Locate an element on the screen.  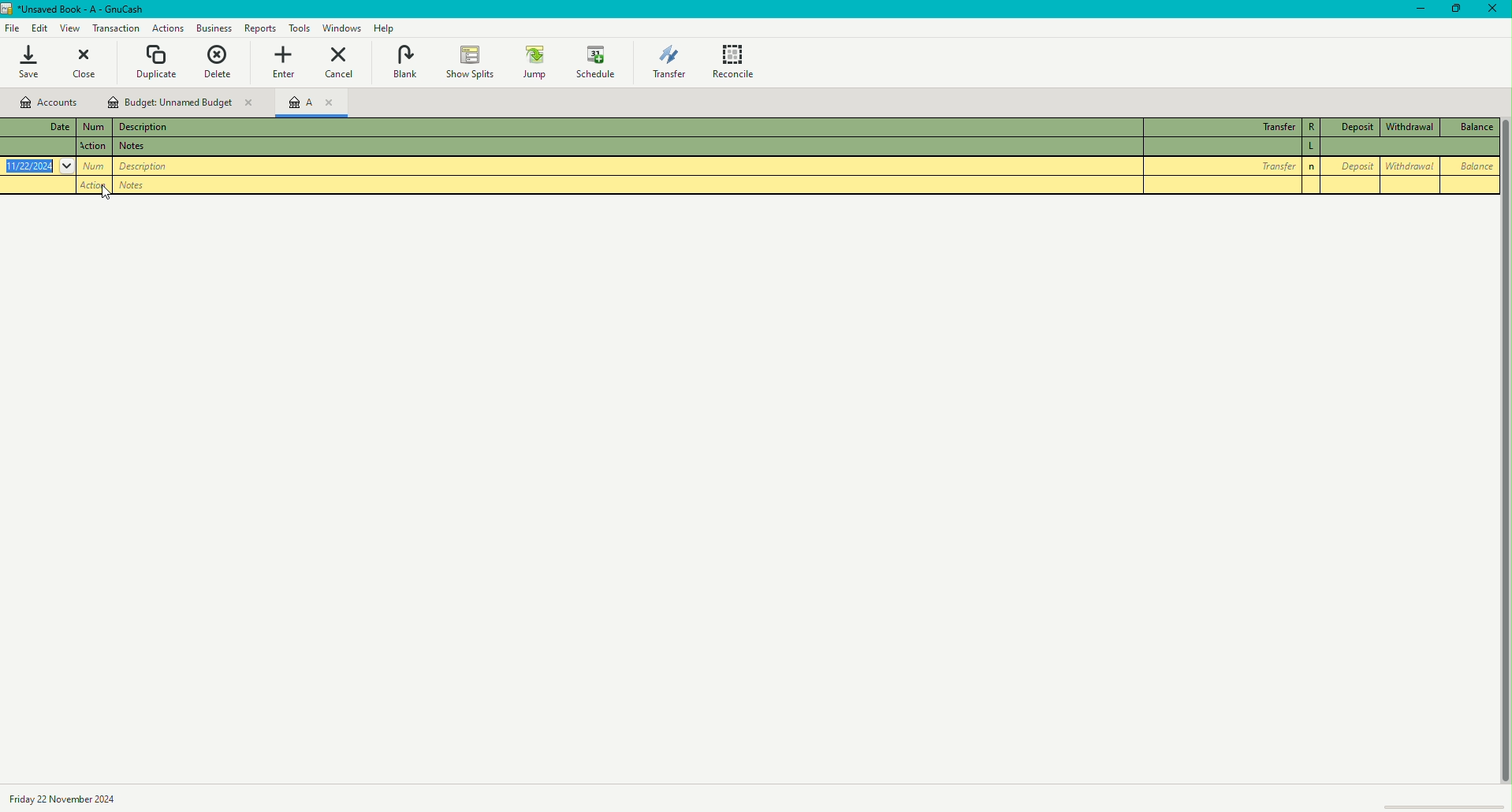
R is located at coordinates (1314, 167).